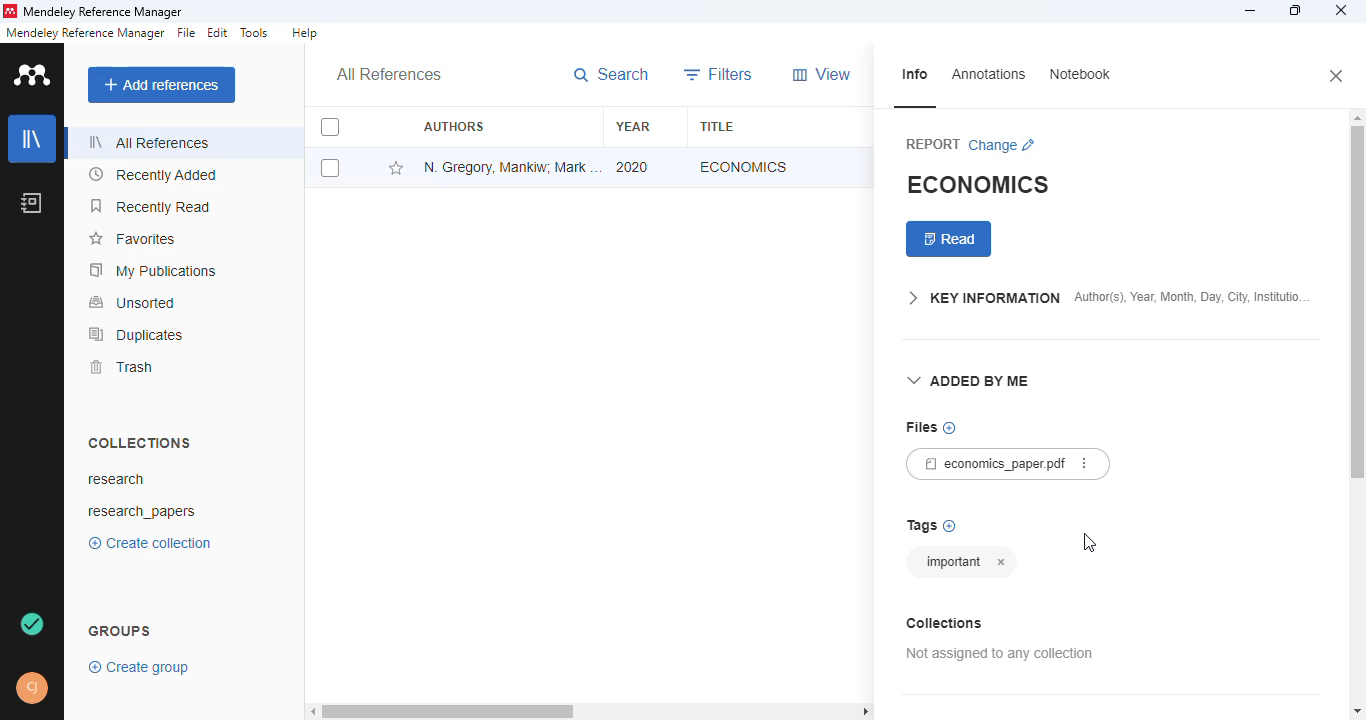  What do you see at coordinates (1084, 463) in the screenshot?
I see `more actions` at bounding box center [1084, 463].